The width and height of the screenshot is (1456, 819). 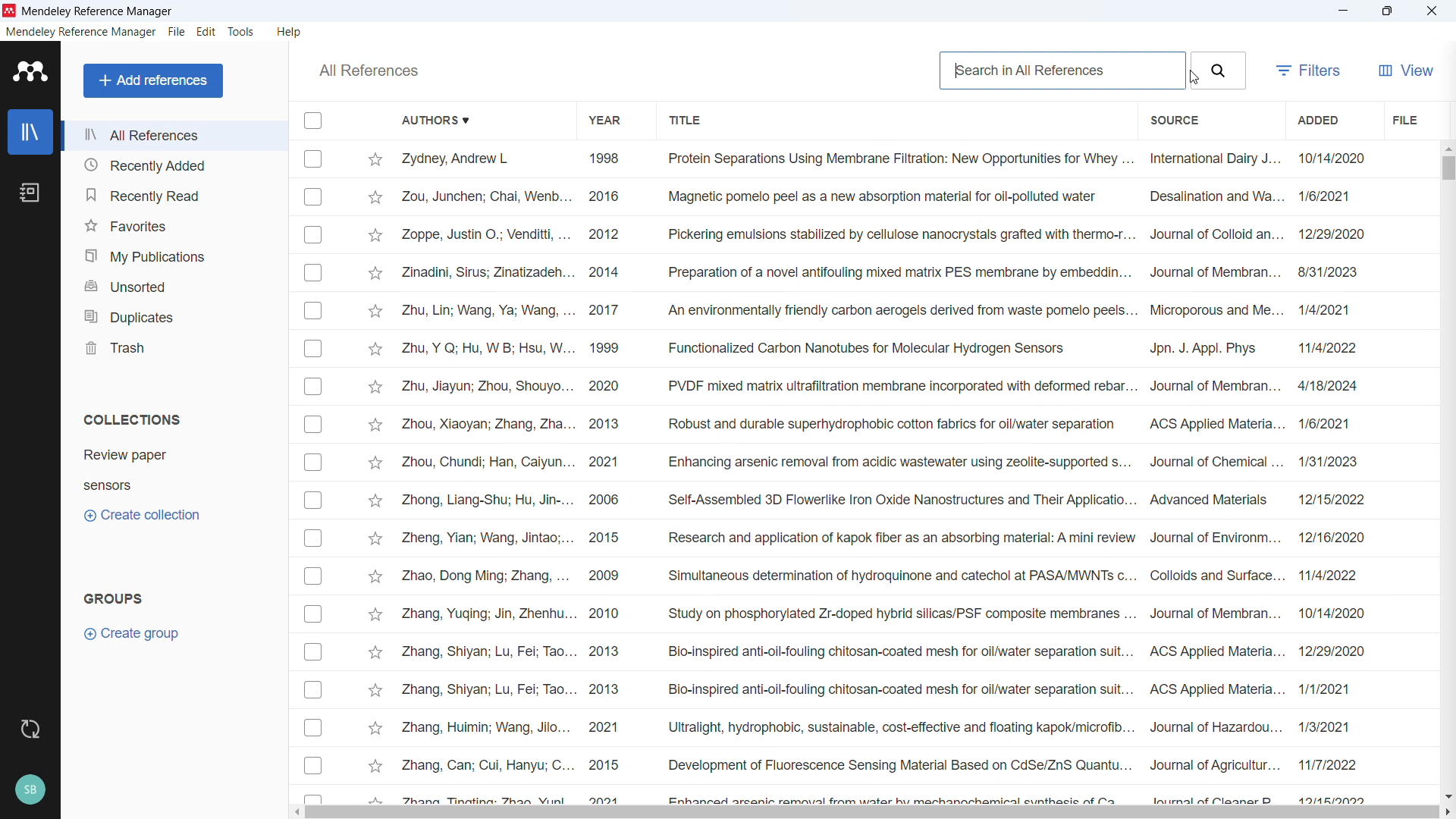 What do you see at coordinates (1404, 119) in the screenshot?
I see `file ` at bounding box center [1404, 119].